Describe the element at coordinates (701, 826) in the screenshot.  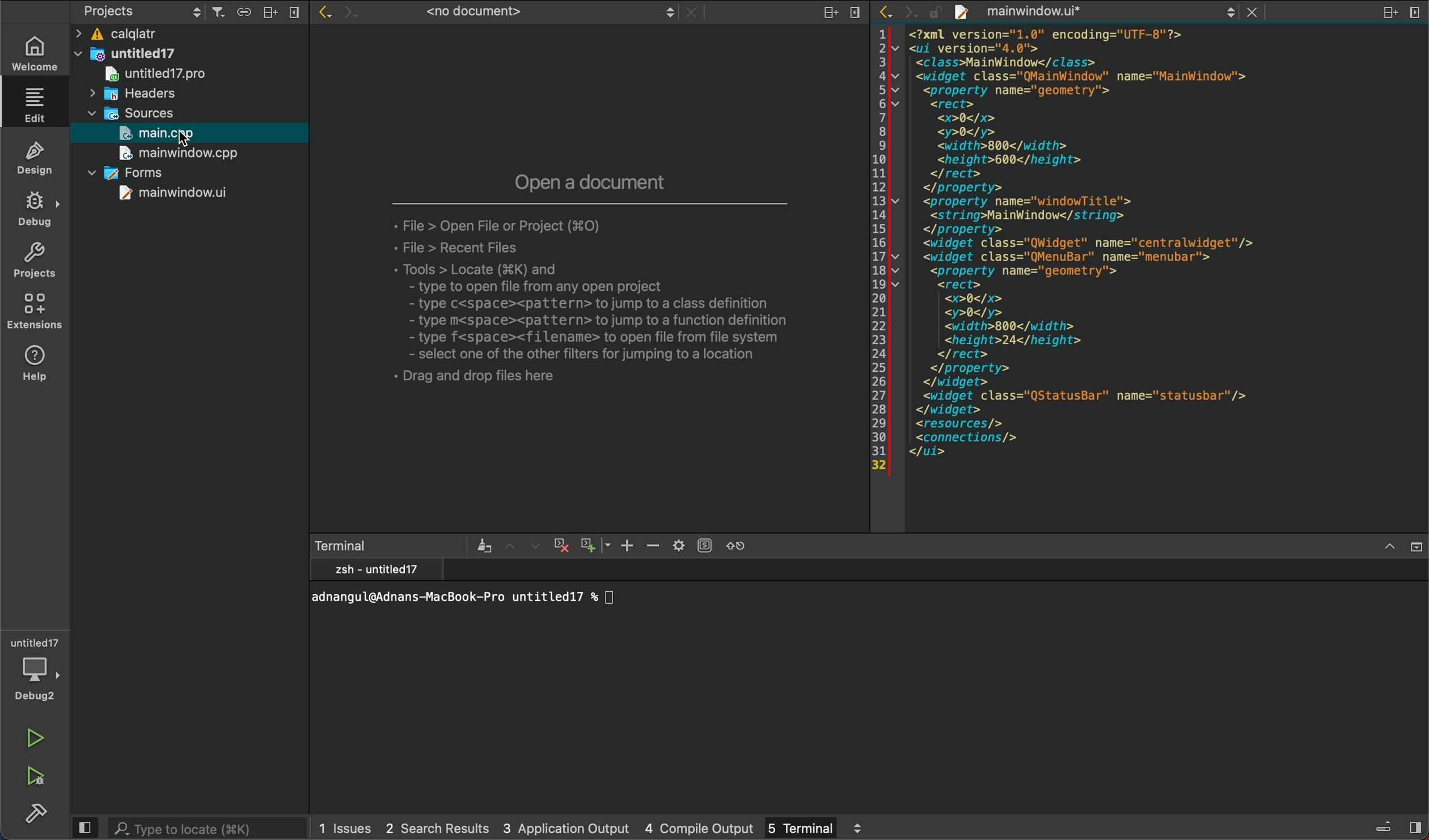
I see `compile output` at that location.